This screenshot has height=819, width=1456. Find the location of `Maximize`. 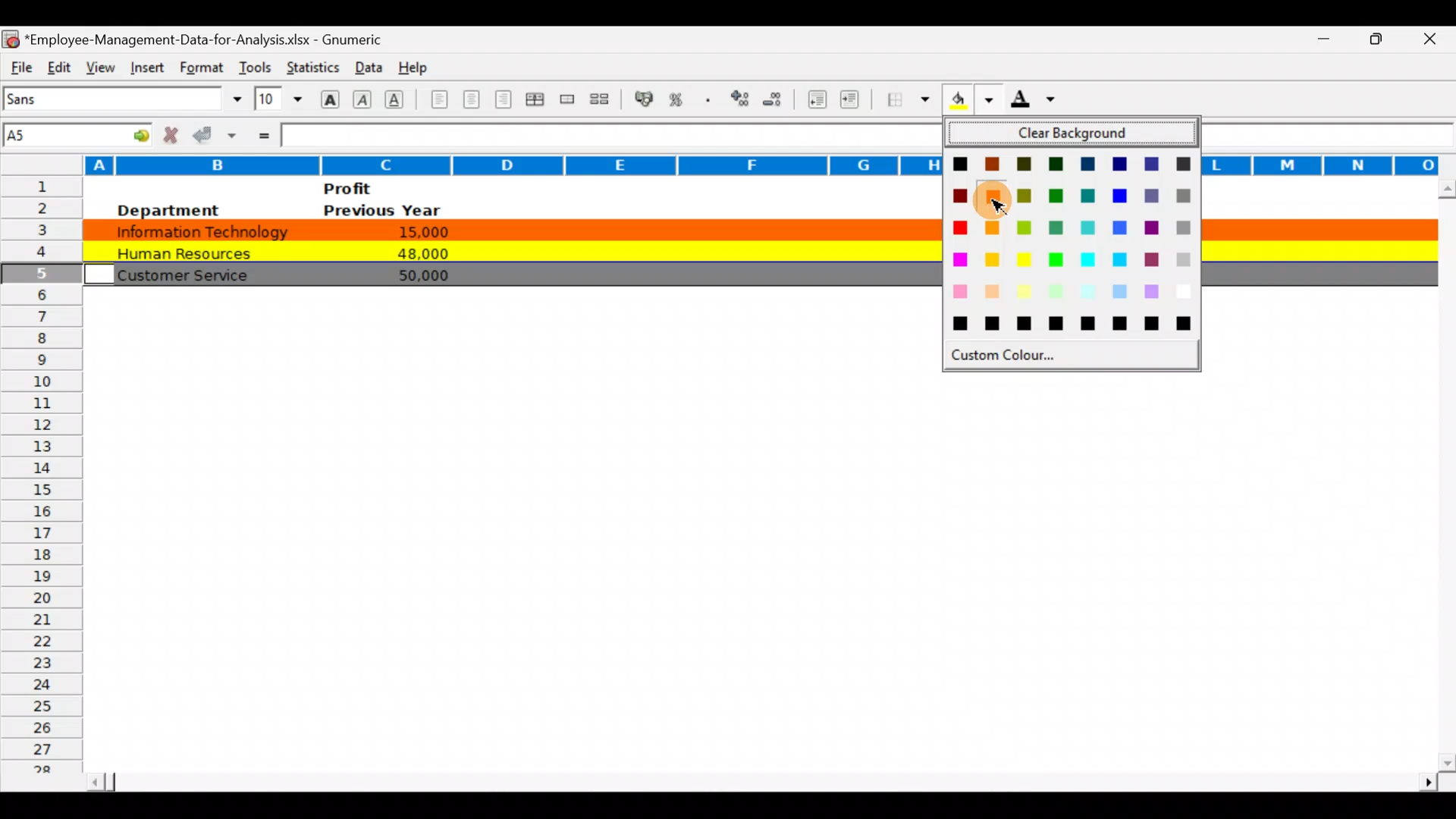

Maximize is located at coordinates (1382, 37).